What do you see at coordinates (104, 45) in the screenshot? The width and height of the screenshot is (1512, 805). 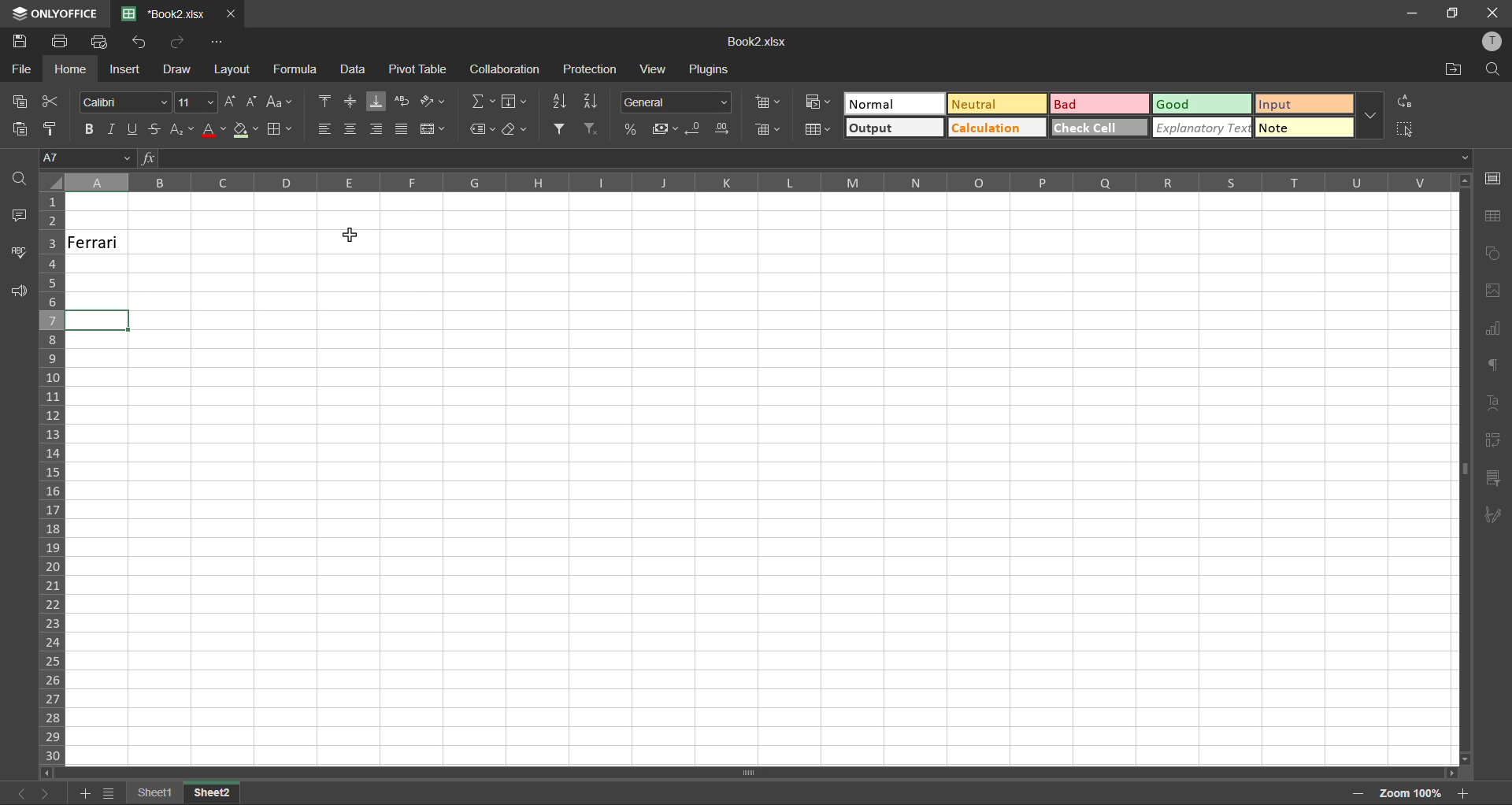 I see `quick print` at bounding box center [104, 45].